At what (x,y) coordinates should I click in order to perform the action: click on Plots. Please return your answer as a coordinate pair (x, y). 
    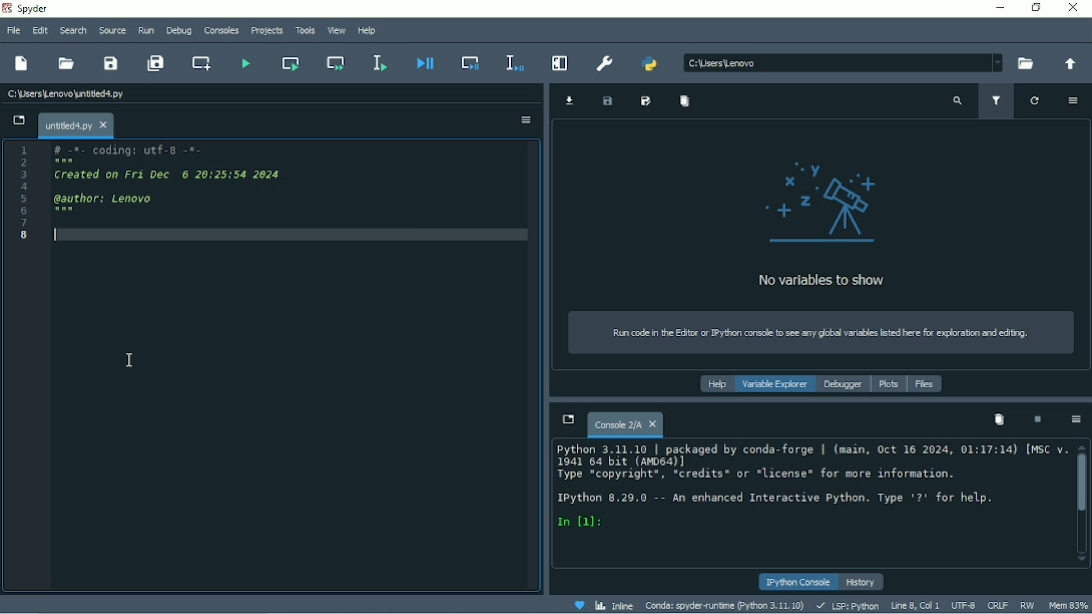
    Looking at the image, I should click on (884, 383).